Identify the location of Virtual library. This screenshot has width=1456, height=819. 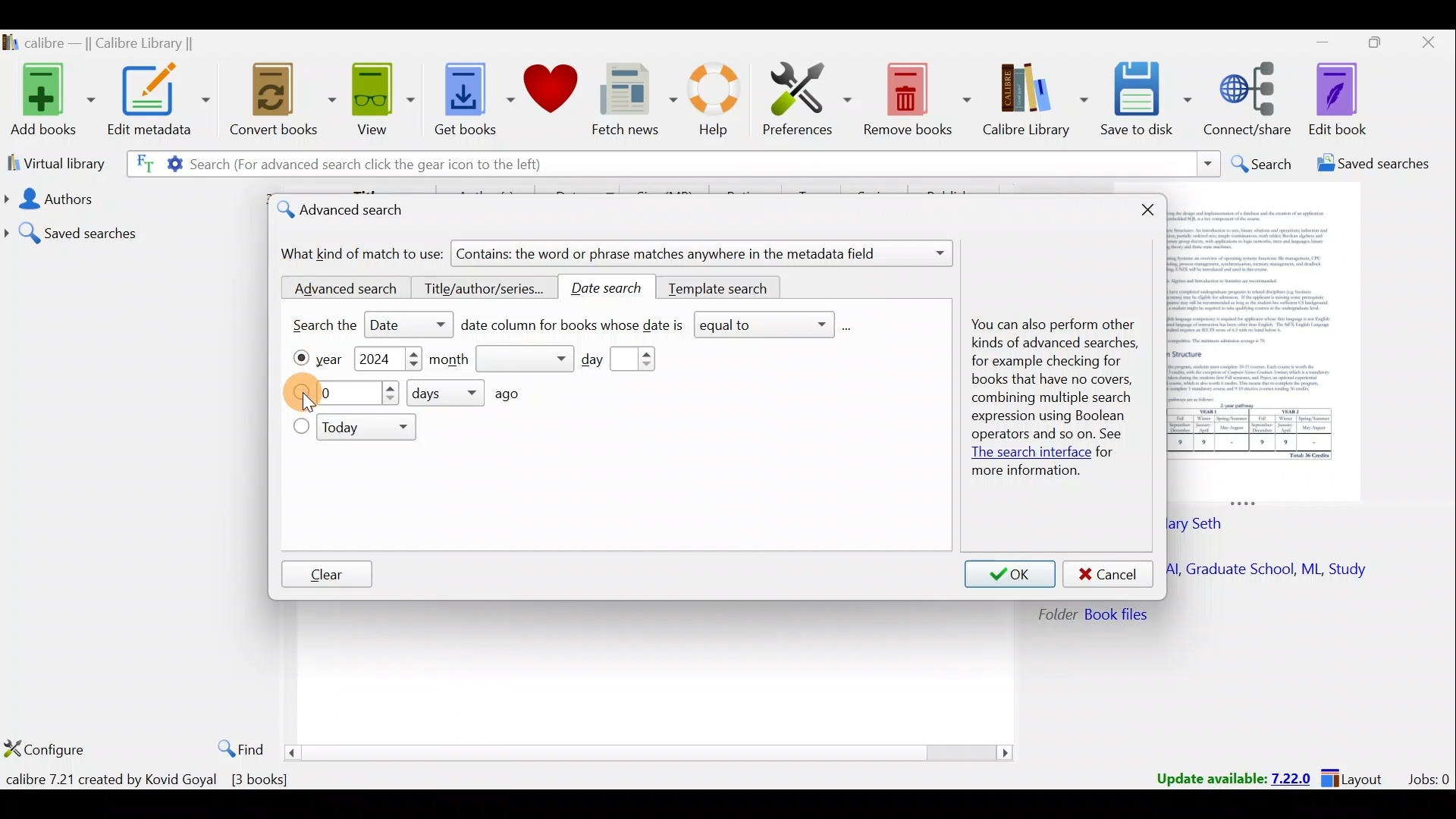
(52, 162).